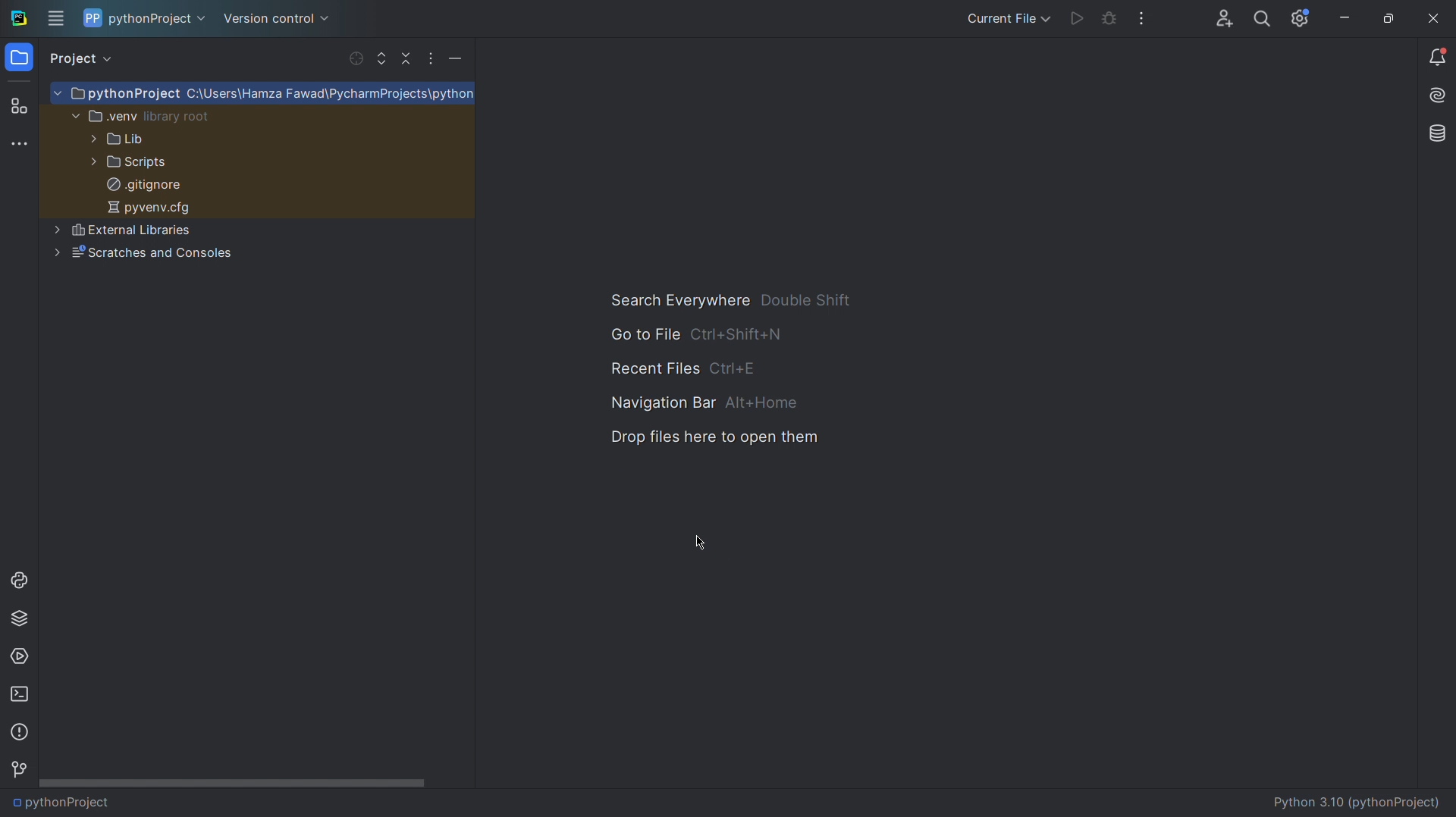  I want to click on Recent Files Ctrl+E, so click(739, 369).